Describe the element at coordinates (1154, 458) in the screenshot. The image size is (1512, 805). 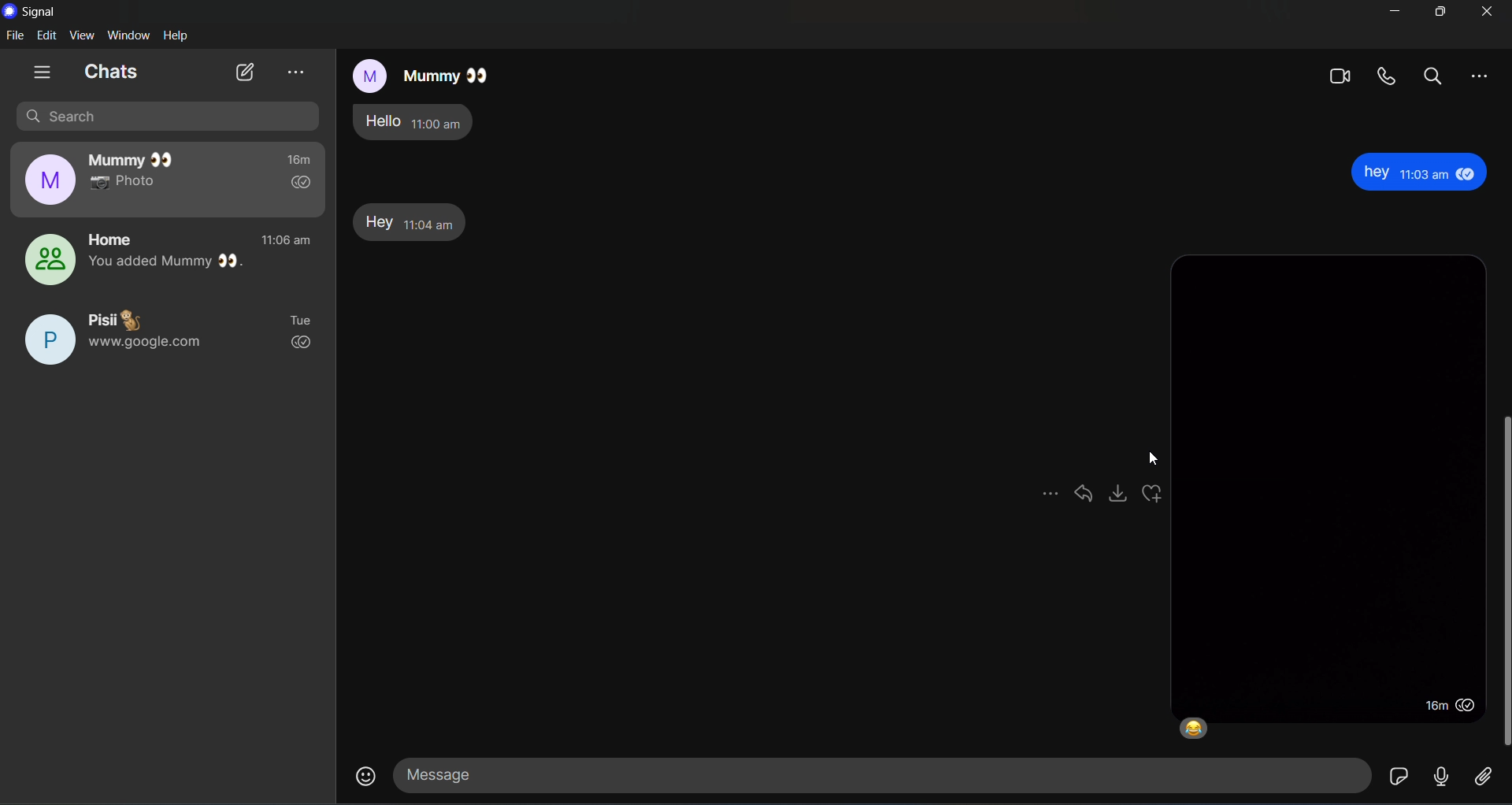
I see `cursor` at that location.